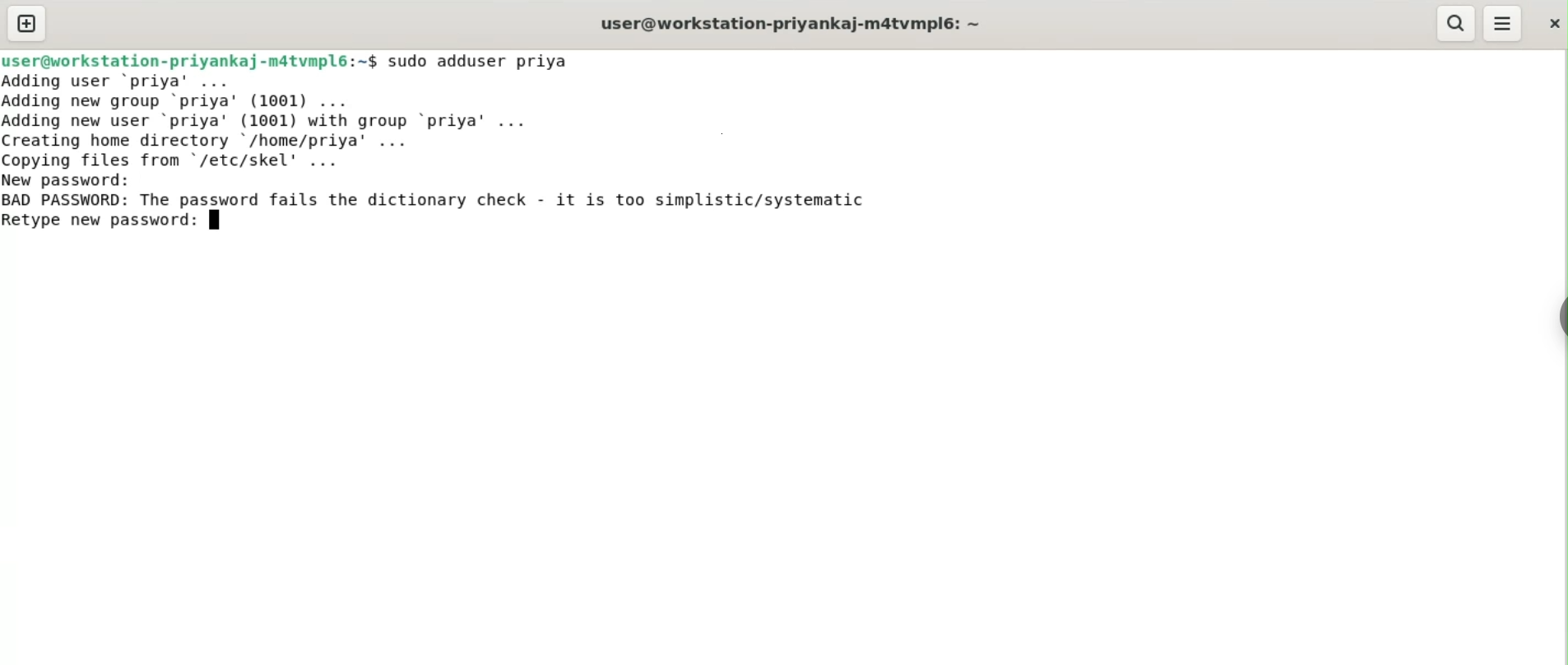 Image resolution: width=1568 pixels, height=665 pixels. Describe the element at coordinates (464, 201) in the screenshot. I see `BAD PASSWORD: The password fails the dictionary check. it is too simplistic/systematic` at that location.